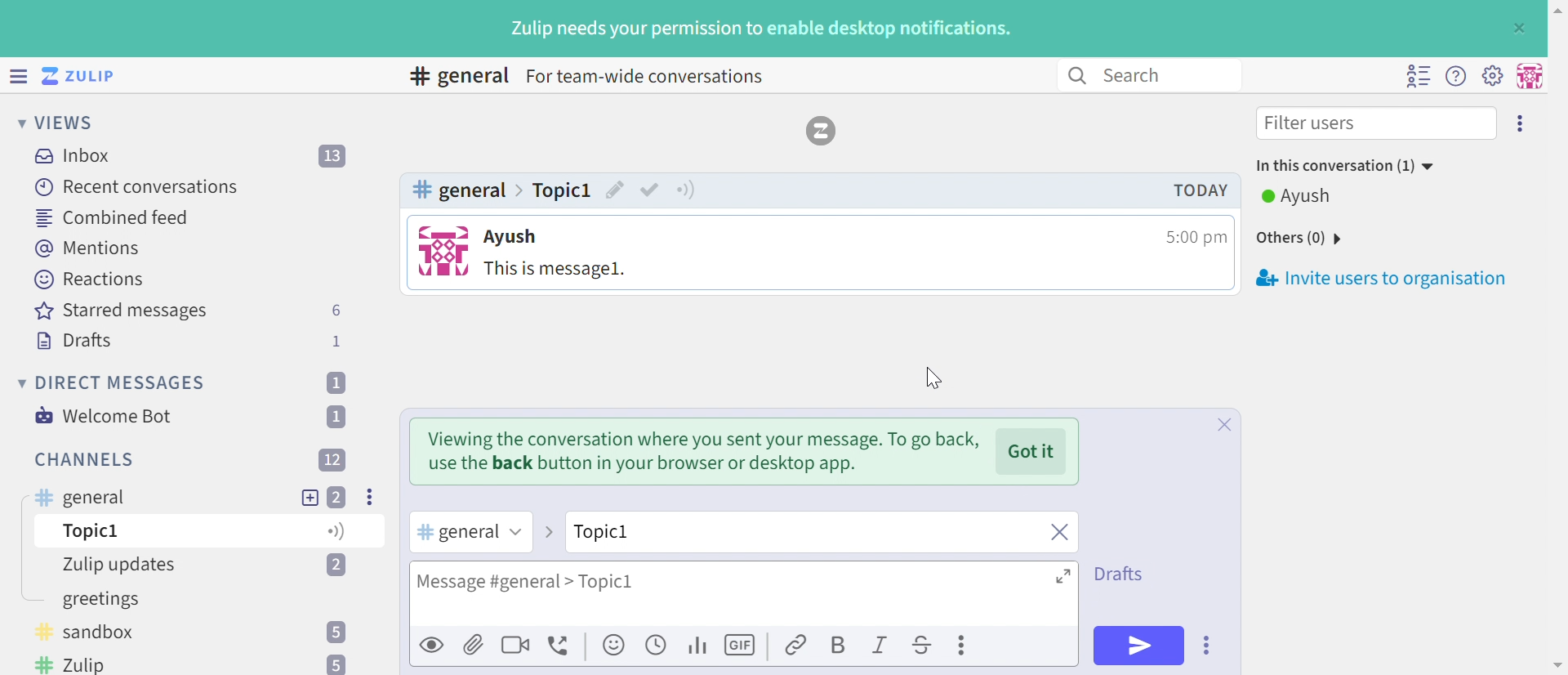 Image resolution: width=1568 pixels, height=675 pixels. What do you see at coordinates (19, 382) in the screenshot?
I see `Drop Down` at bounding box center [19, 382].